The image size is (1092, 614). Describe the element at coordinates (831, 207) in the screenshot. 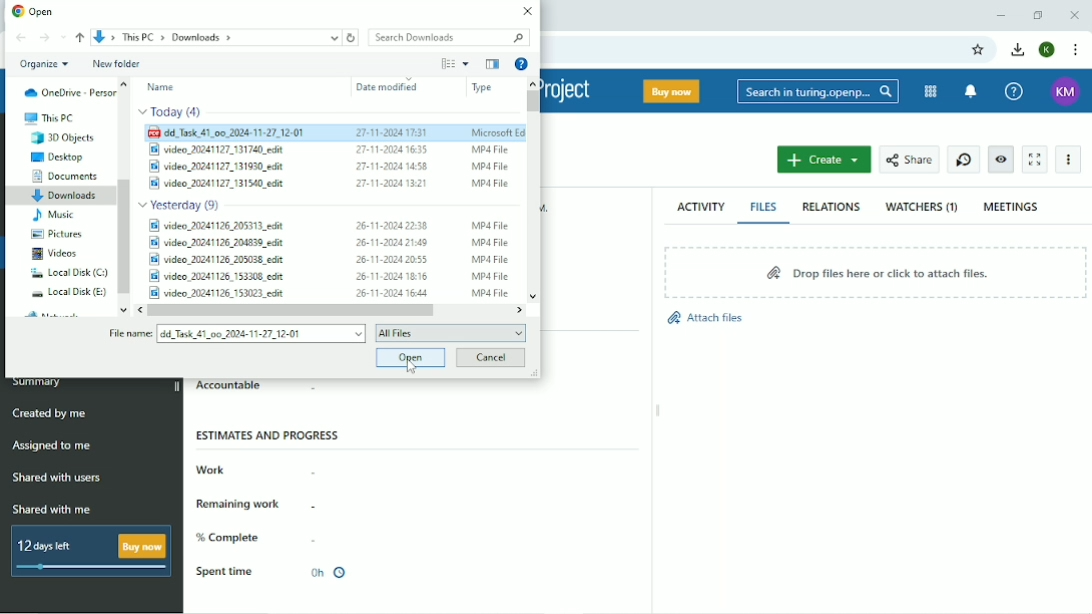

I see `Relations` at that location.